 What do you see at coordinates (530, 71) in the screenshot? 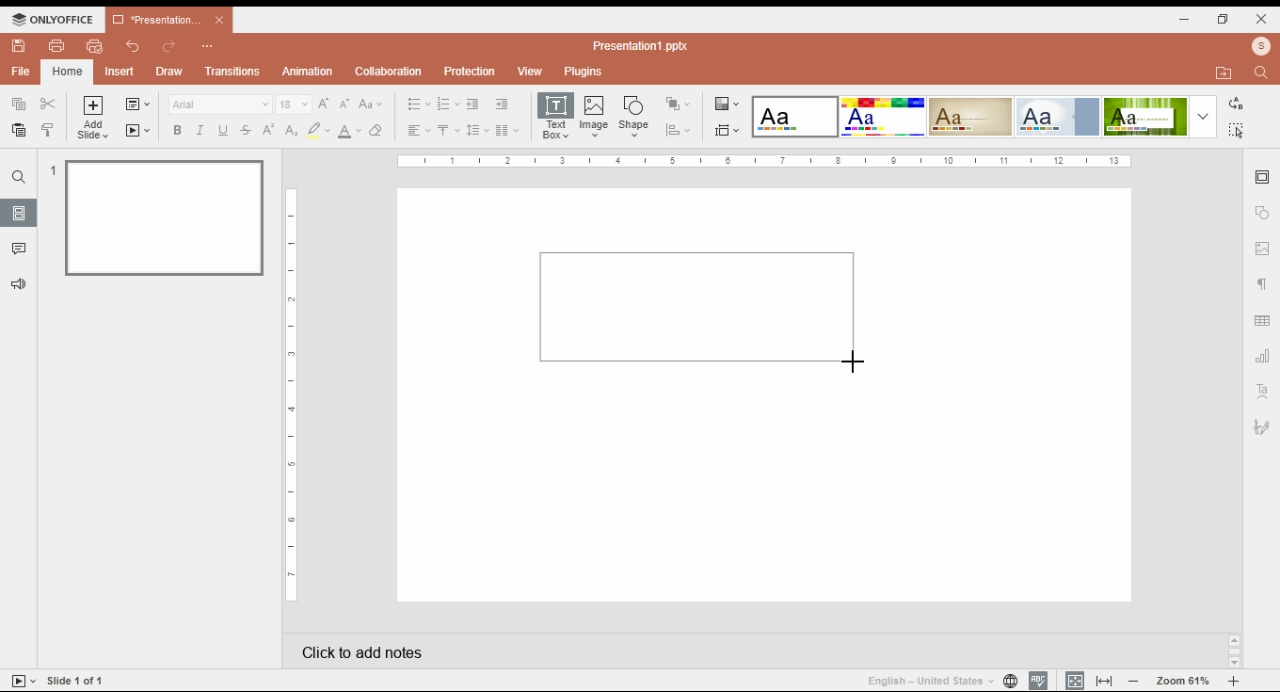
I see `view` at bounding box center [530, 71].